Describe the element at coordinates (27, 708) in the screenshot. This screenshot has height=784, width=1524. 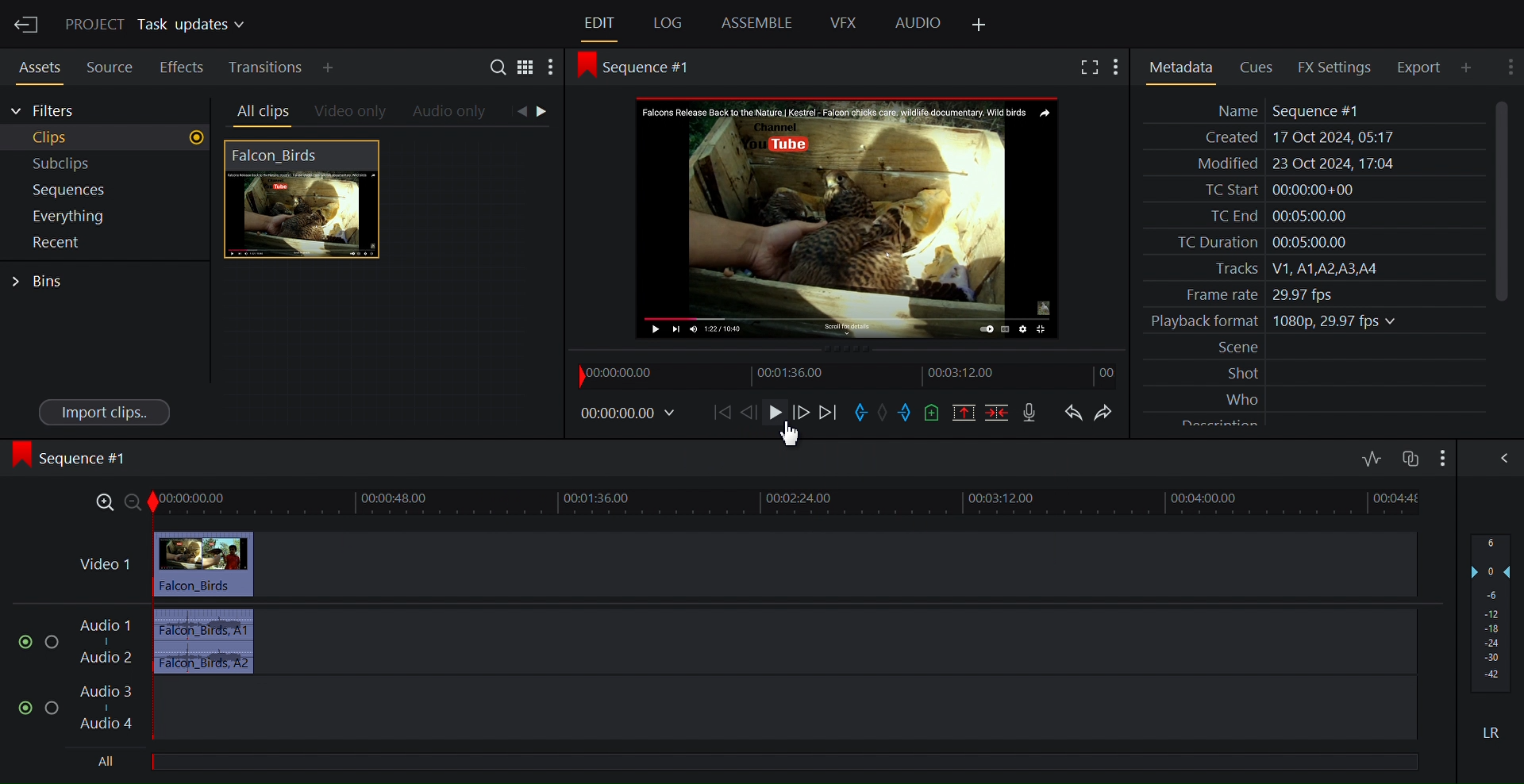
I see `(un)mute` at that location.